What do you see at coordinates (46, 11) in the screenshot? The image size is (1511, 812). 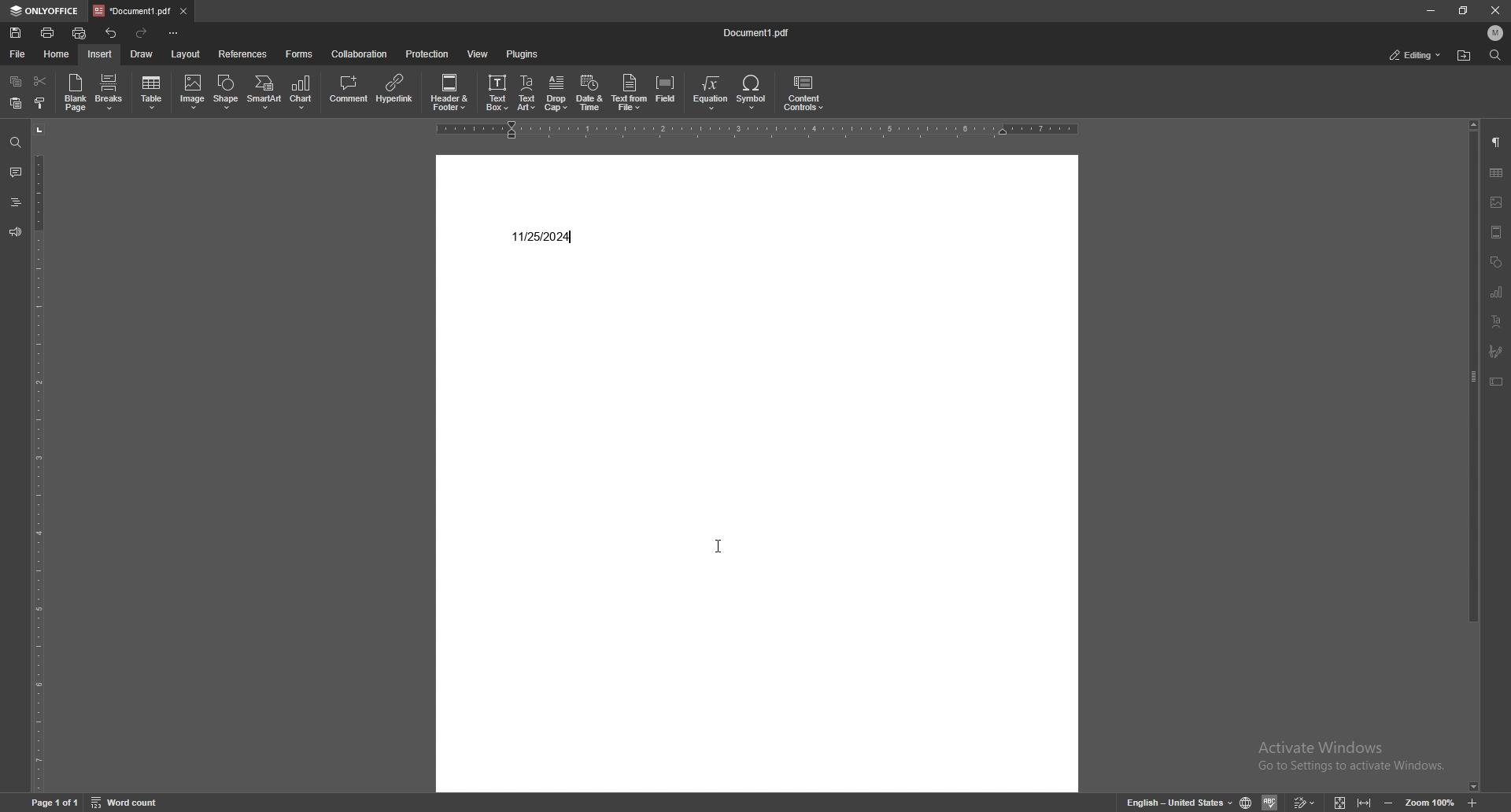 I see `onlyoffice` at bounding box center [46, 11].